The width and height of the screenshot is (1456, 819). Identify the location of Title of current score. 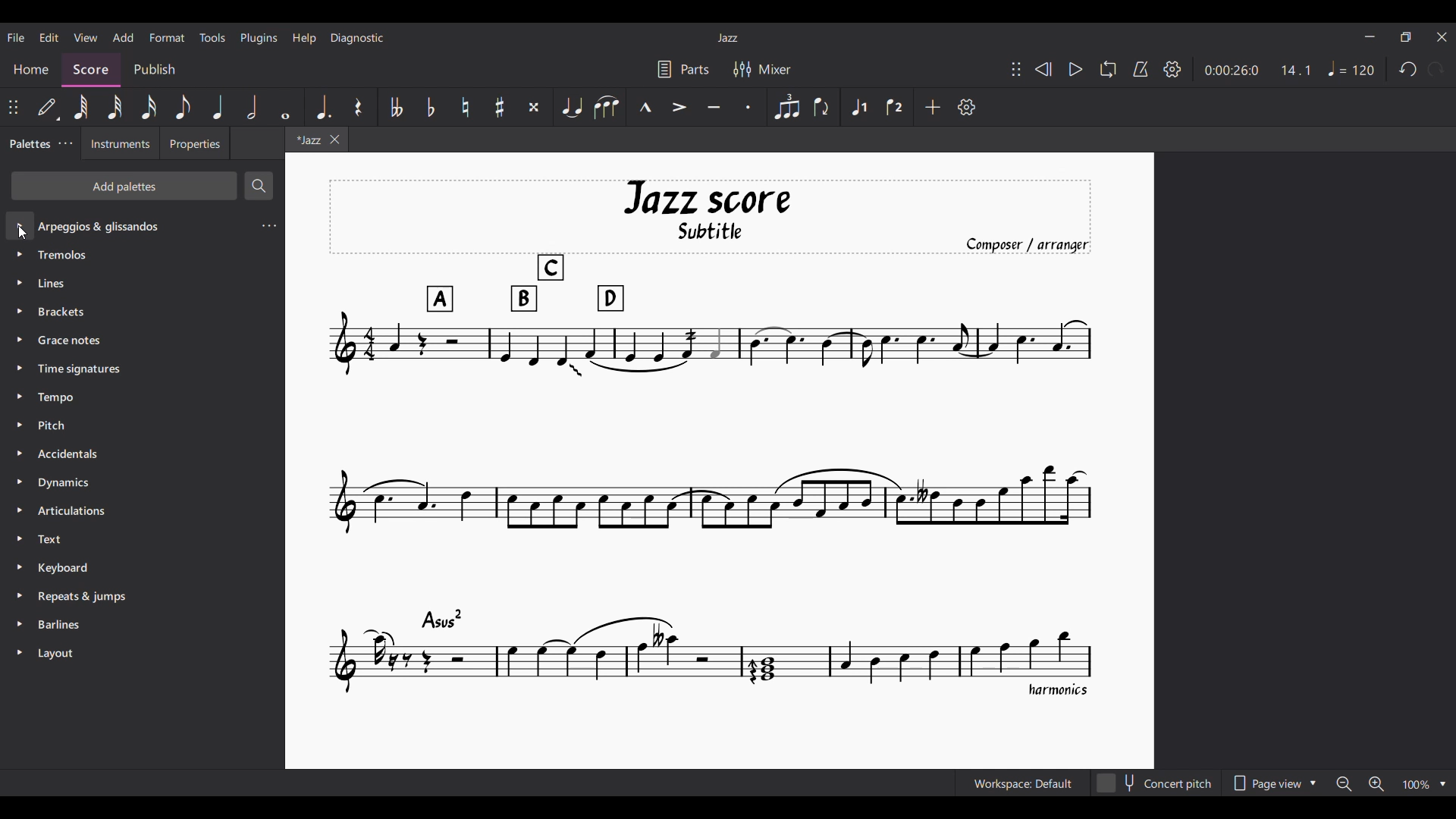
(726, 38).